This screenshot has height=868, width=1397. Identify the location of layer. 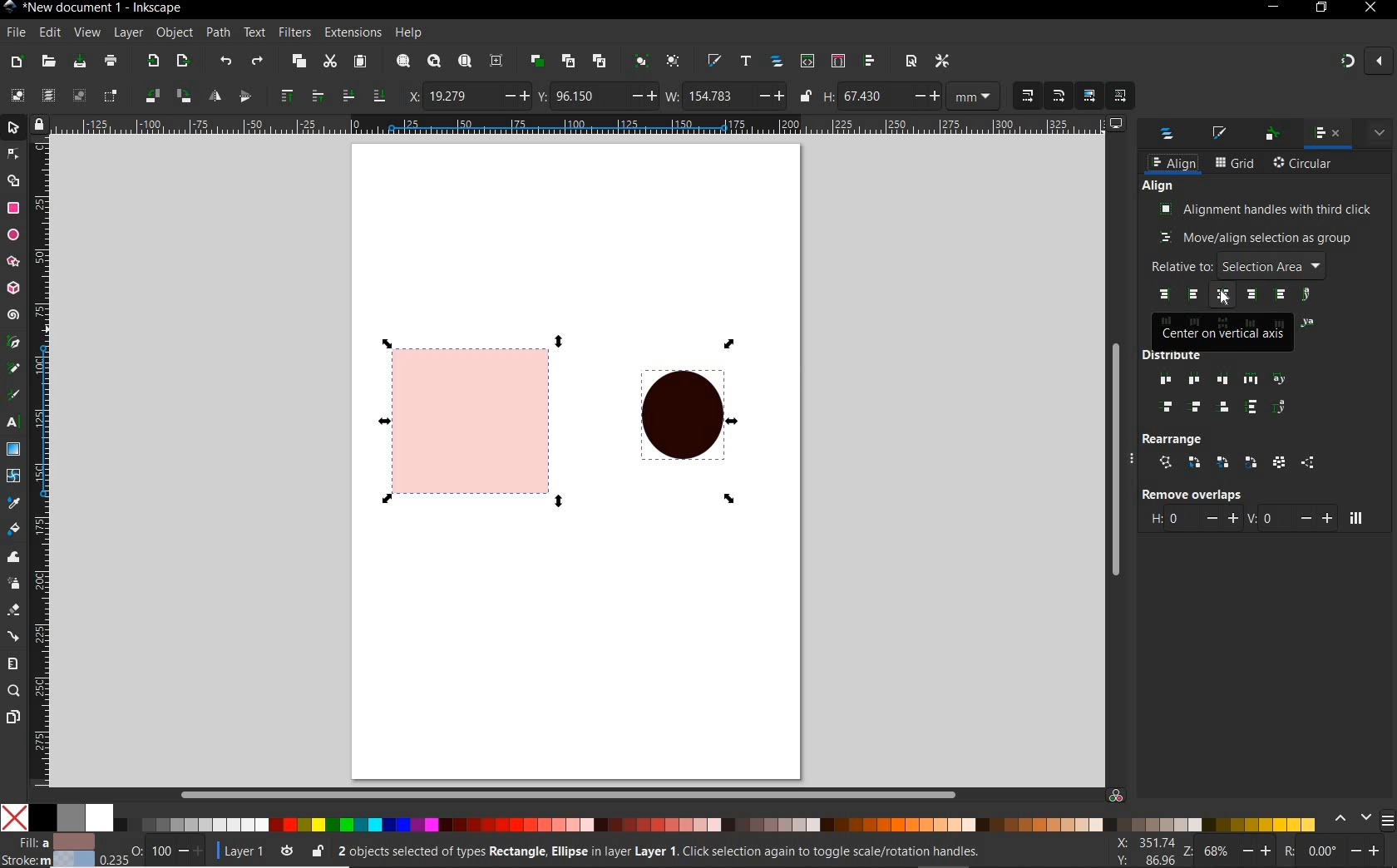
(129, 32).